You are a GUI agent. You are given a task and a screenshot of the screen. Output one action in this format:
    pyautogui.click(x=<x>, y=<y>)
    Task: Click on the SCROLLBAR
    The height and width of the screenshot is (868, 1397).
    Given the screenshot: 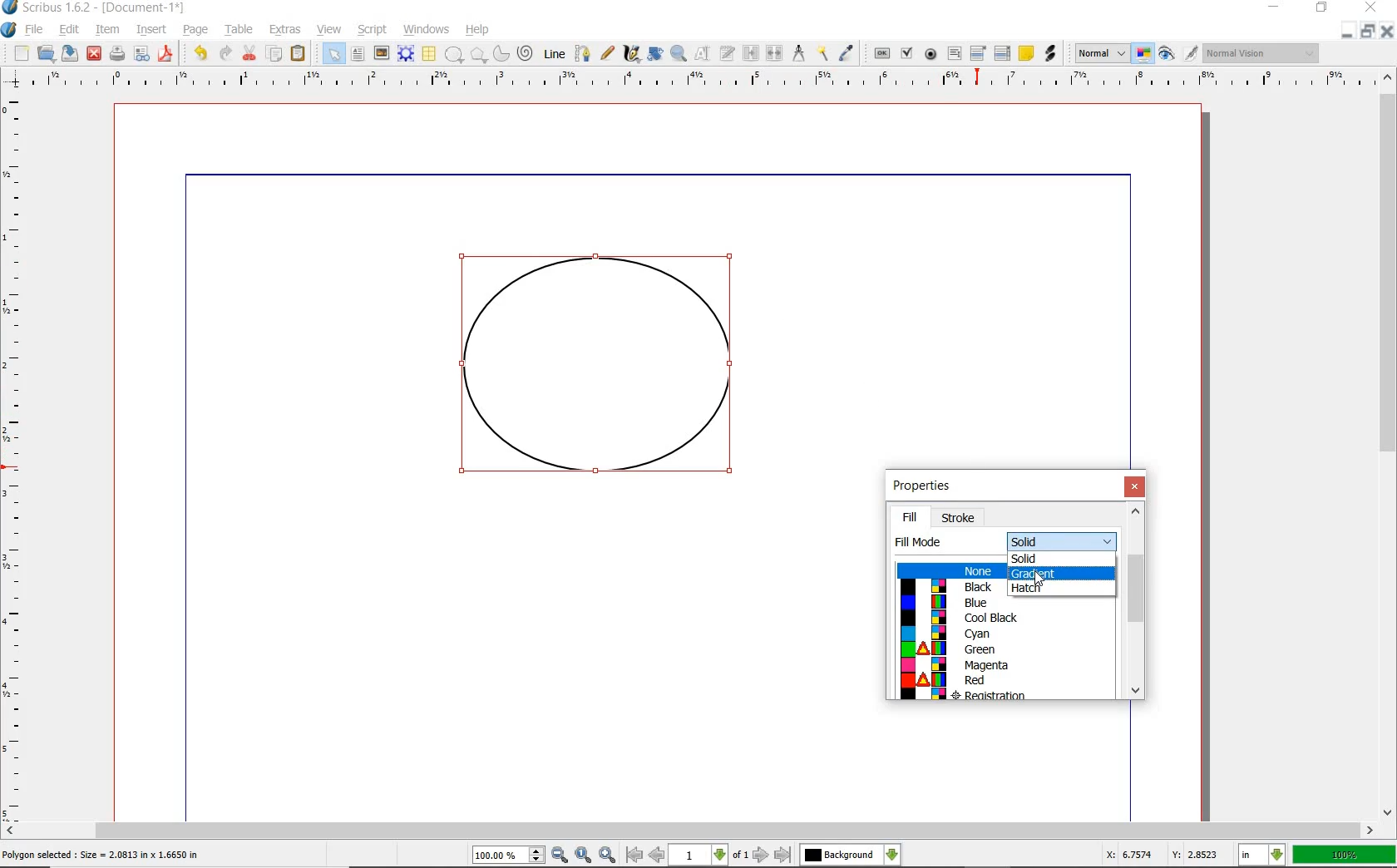 What is the action you would take?
    pyautogui.click(x=1389, y=442)
    